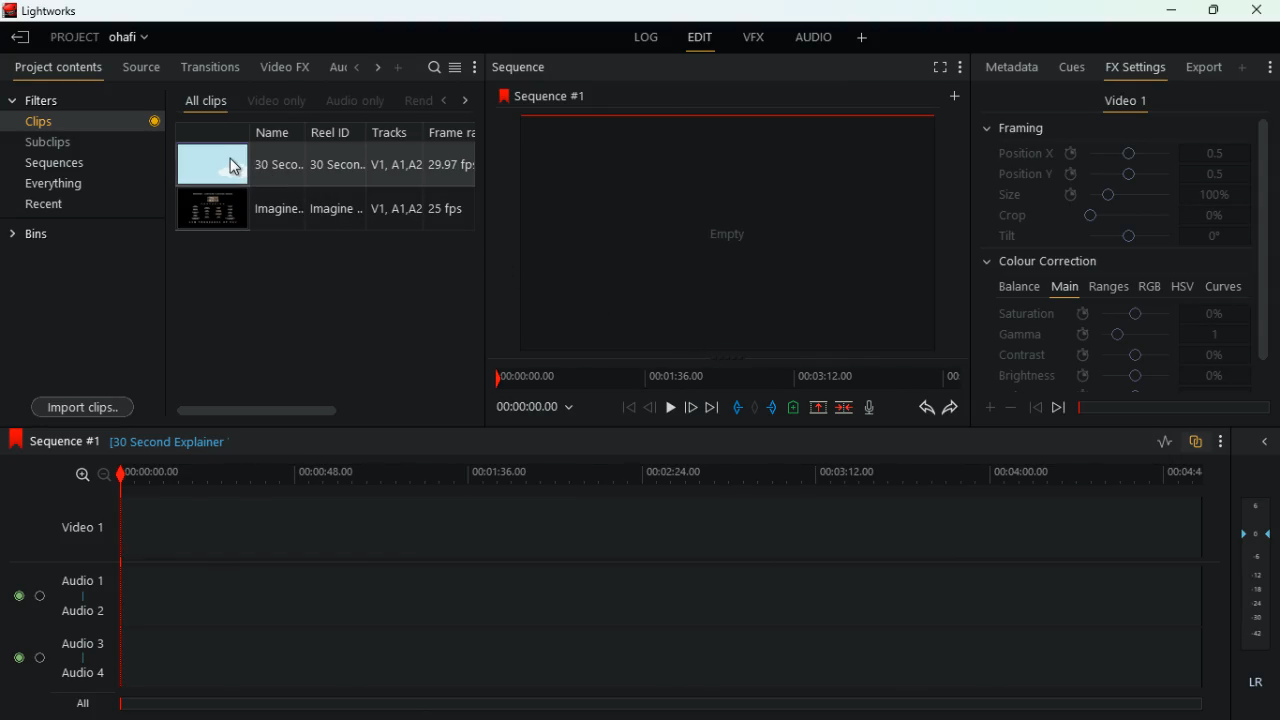 The height and width of the screenshot is (720, 1280). I want to click on video 1, so click(77, 528).